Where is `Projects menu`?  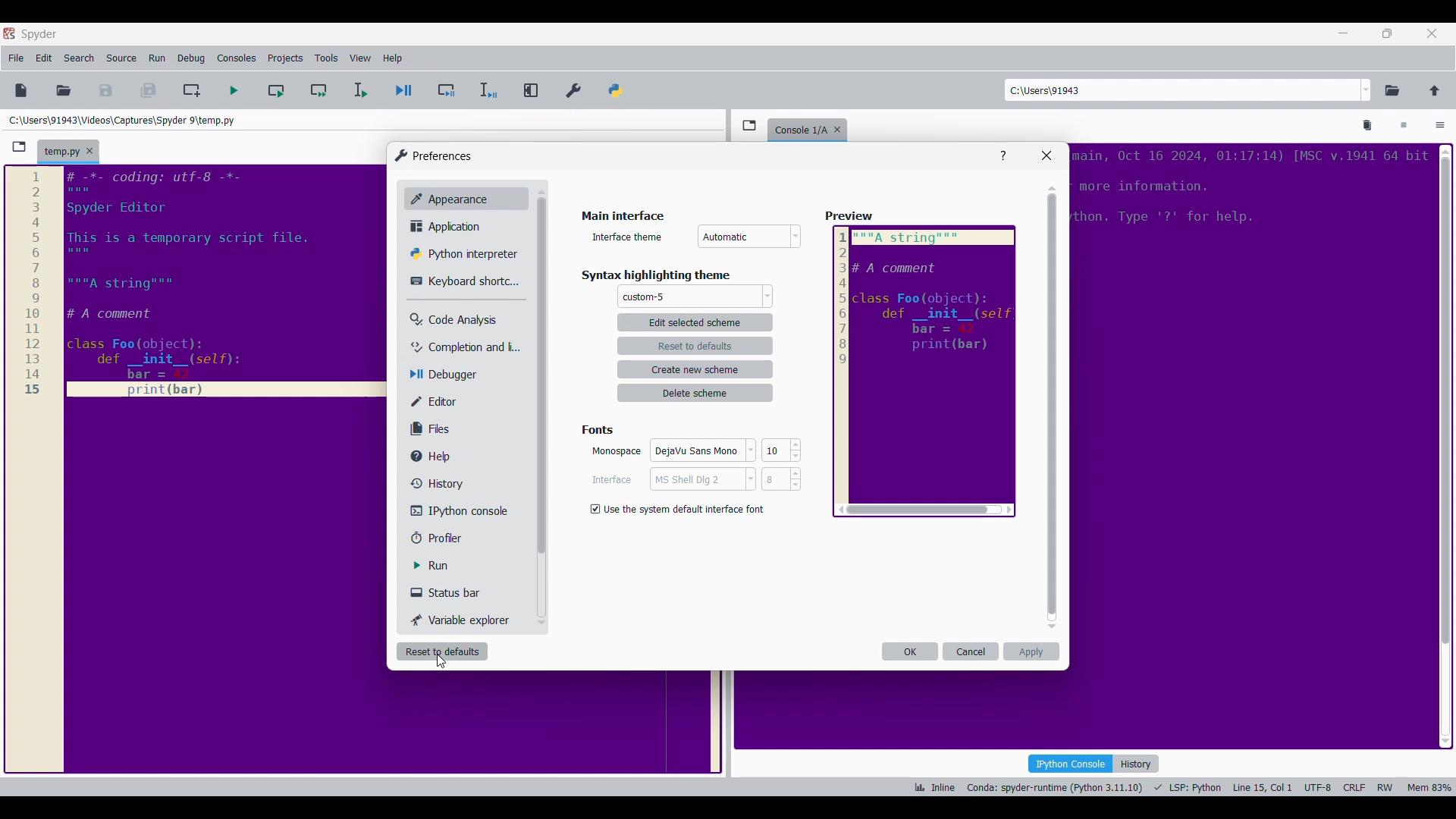
Projects menu is located at coordinates (286, 58).